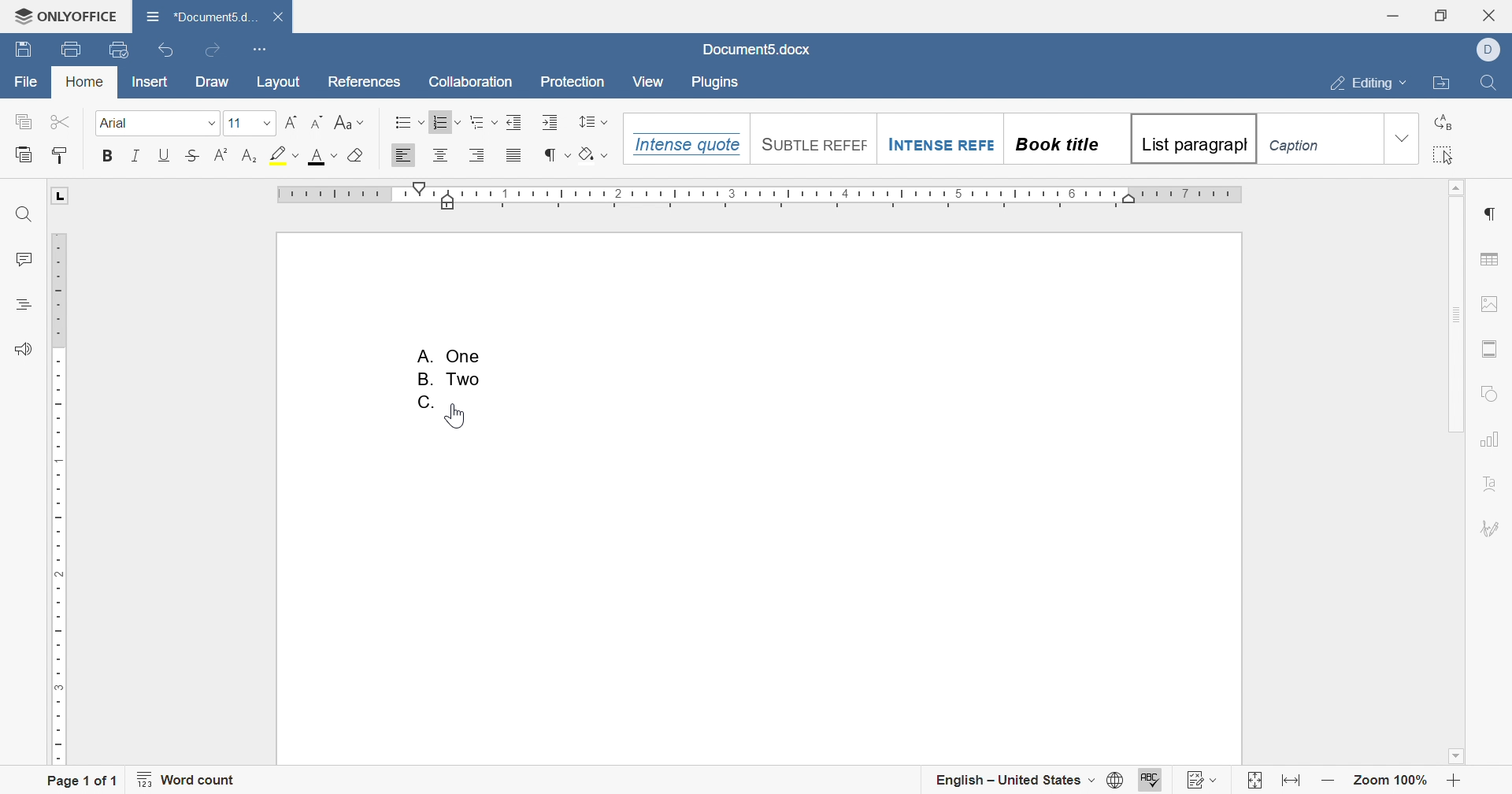 The width and height of the screenshot is (1512, 794). Describe the element at coordinates (1402, 139) in the screenshot. I see `drop down` at that location.